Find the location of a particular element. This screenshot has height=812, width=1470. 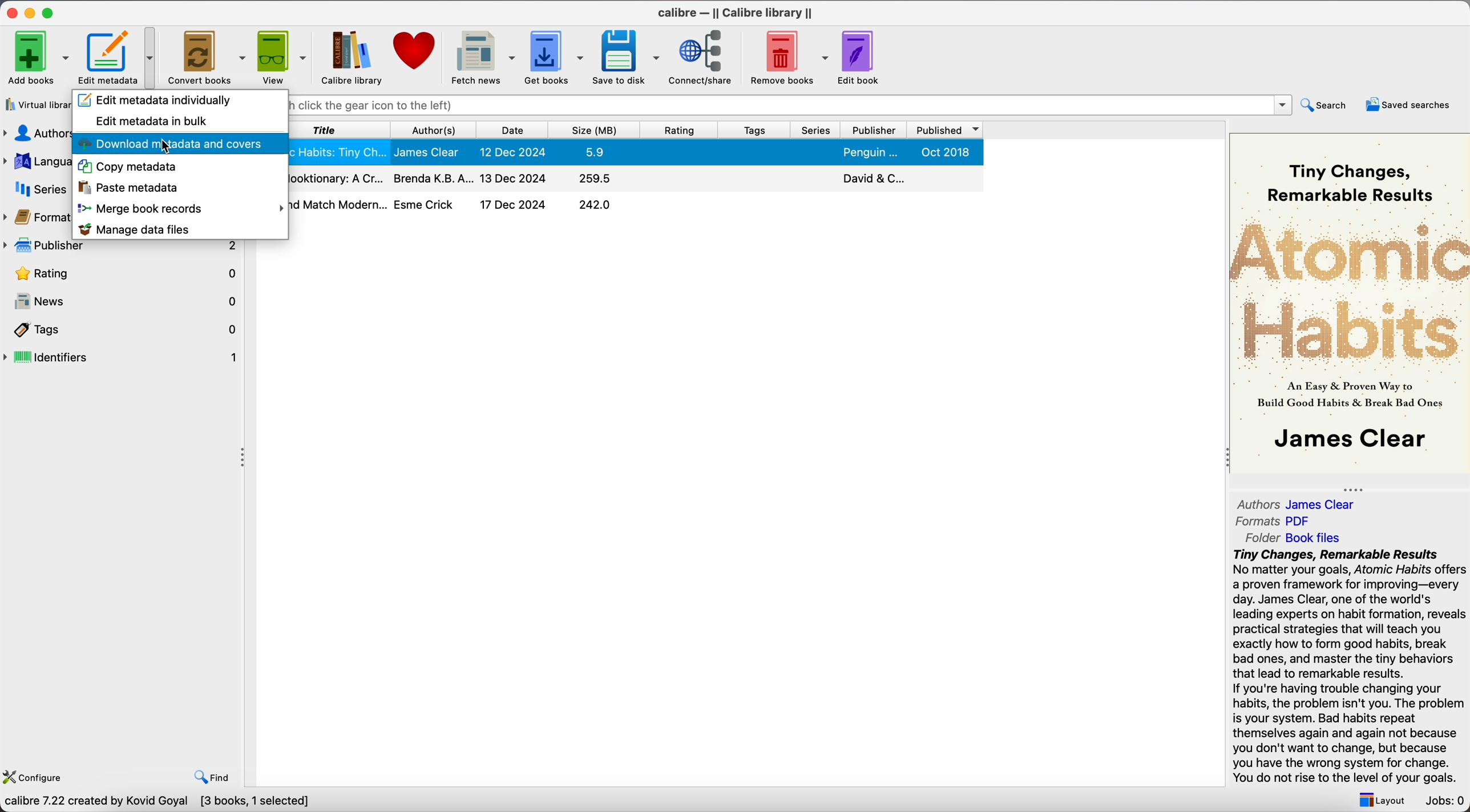

merge book records is located at coordinates (180, 209).